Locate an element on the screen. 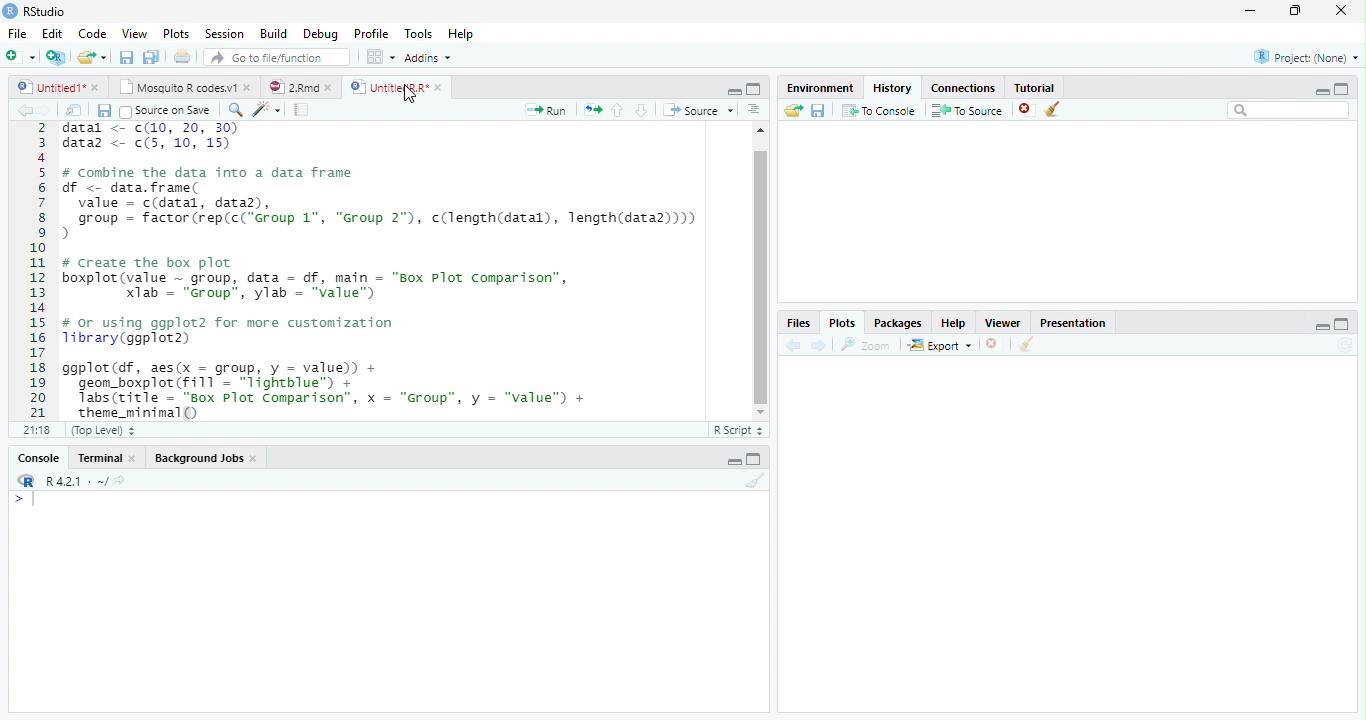  Session is located at coordinates (222, 33).